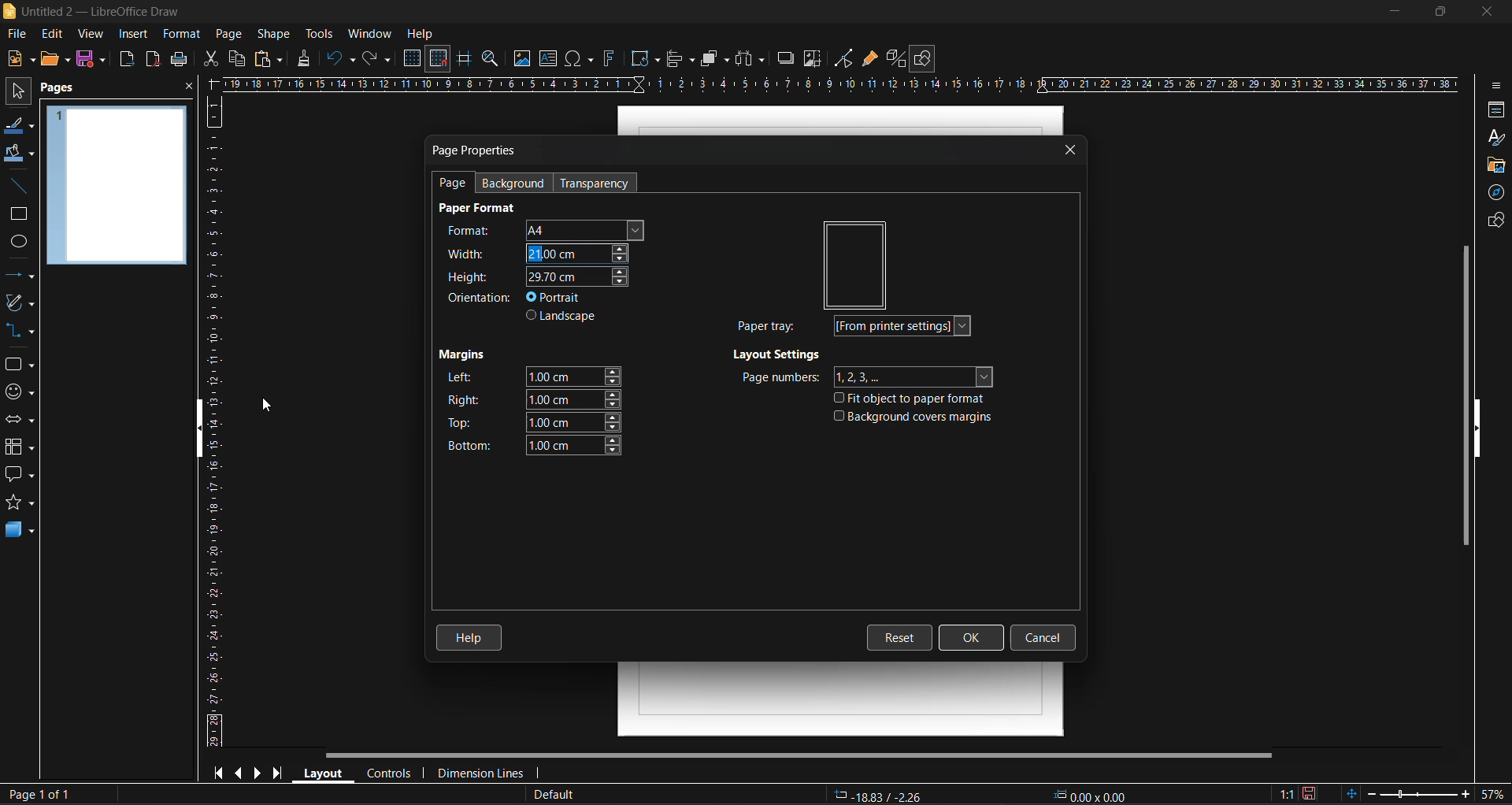 The image size is (1512, 805). What do you see at coordinates (983, 796) in the screenshot?
I see `co ordinates` at bounding box center [983, 796].